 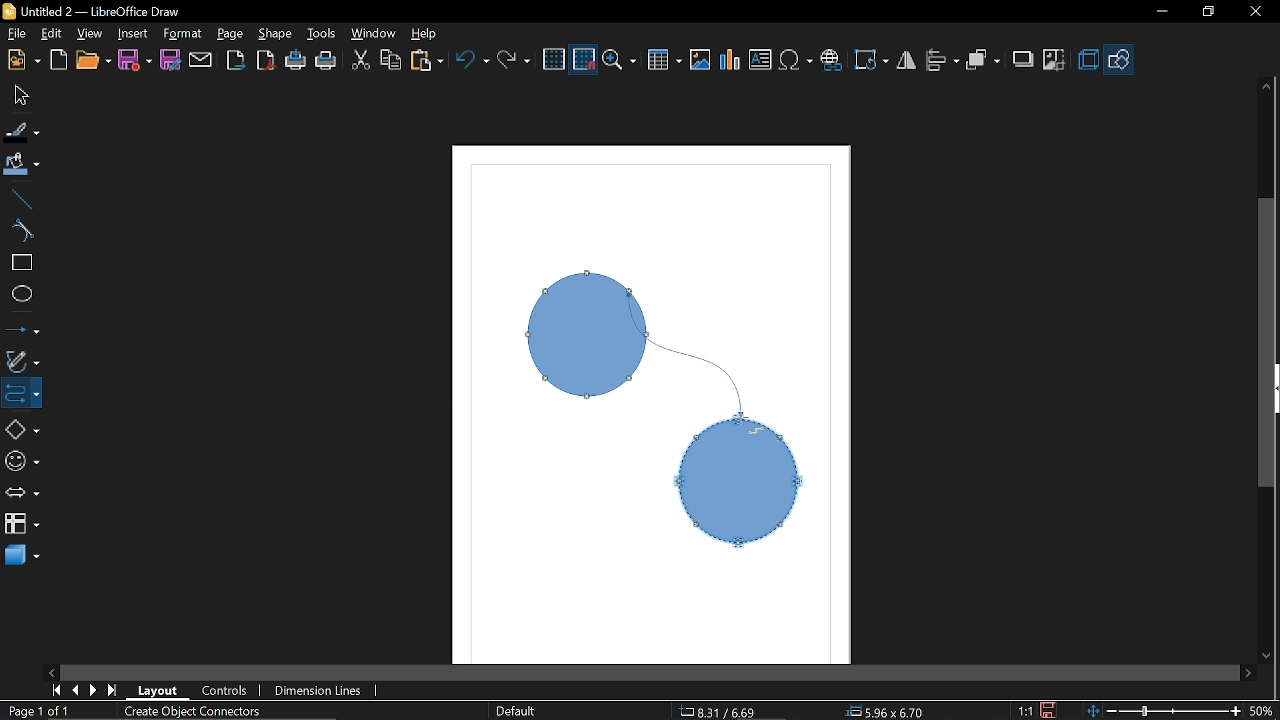 I want to click on Ellipse, so click(x=19, y=294).